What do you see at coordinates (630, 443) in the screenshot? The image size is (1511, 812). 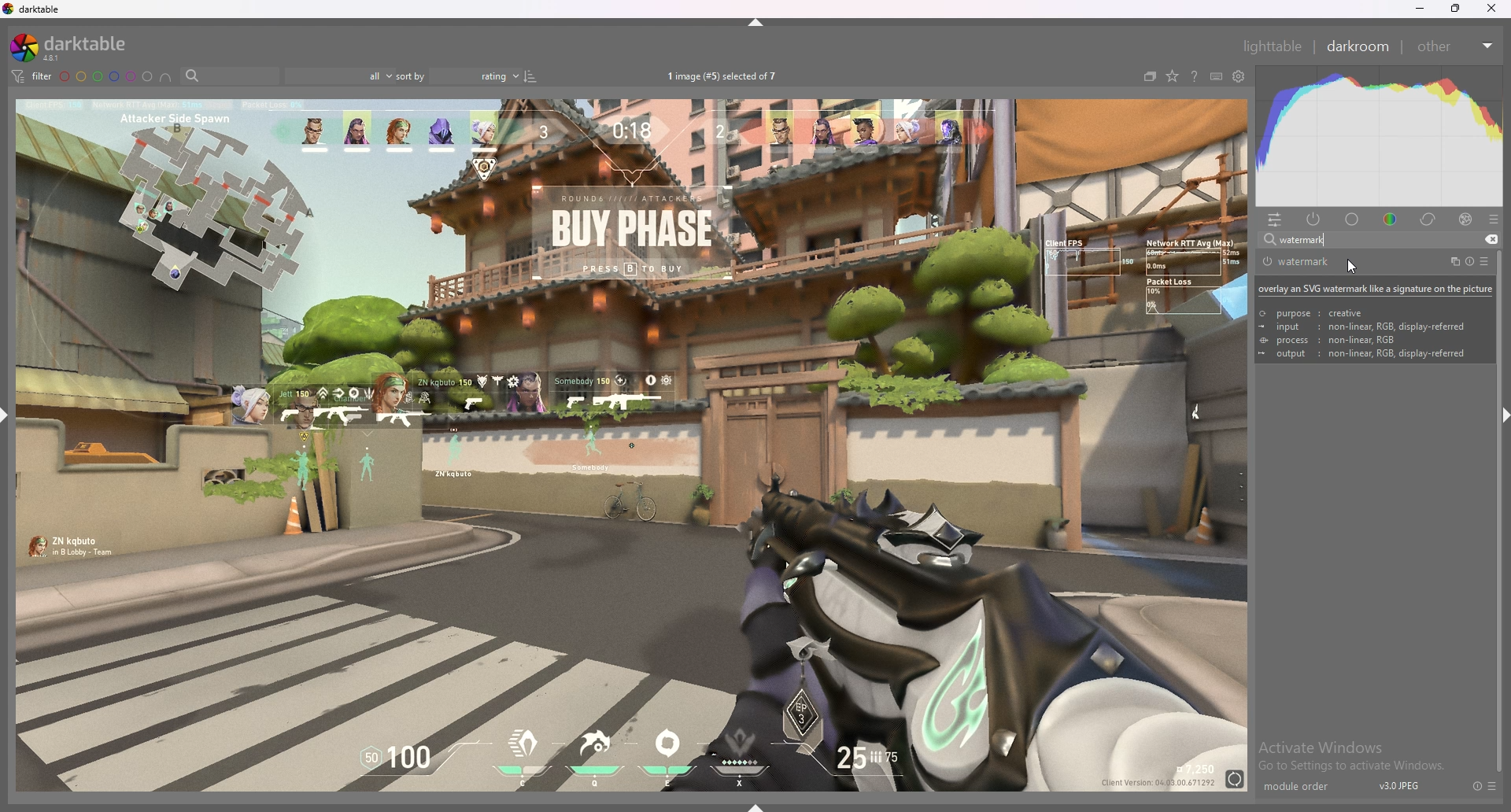 I see `photo` at bounding box center [630, 443].